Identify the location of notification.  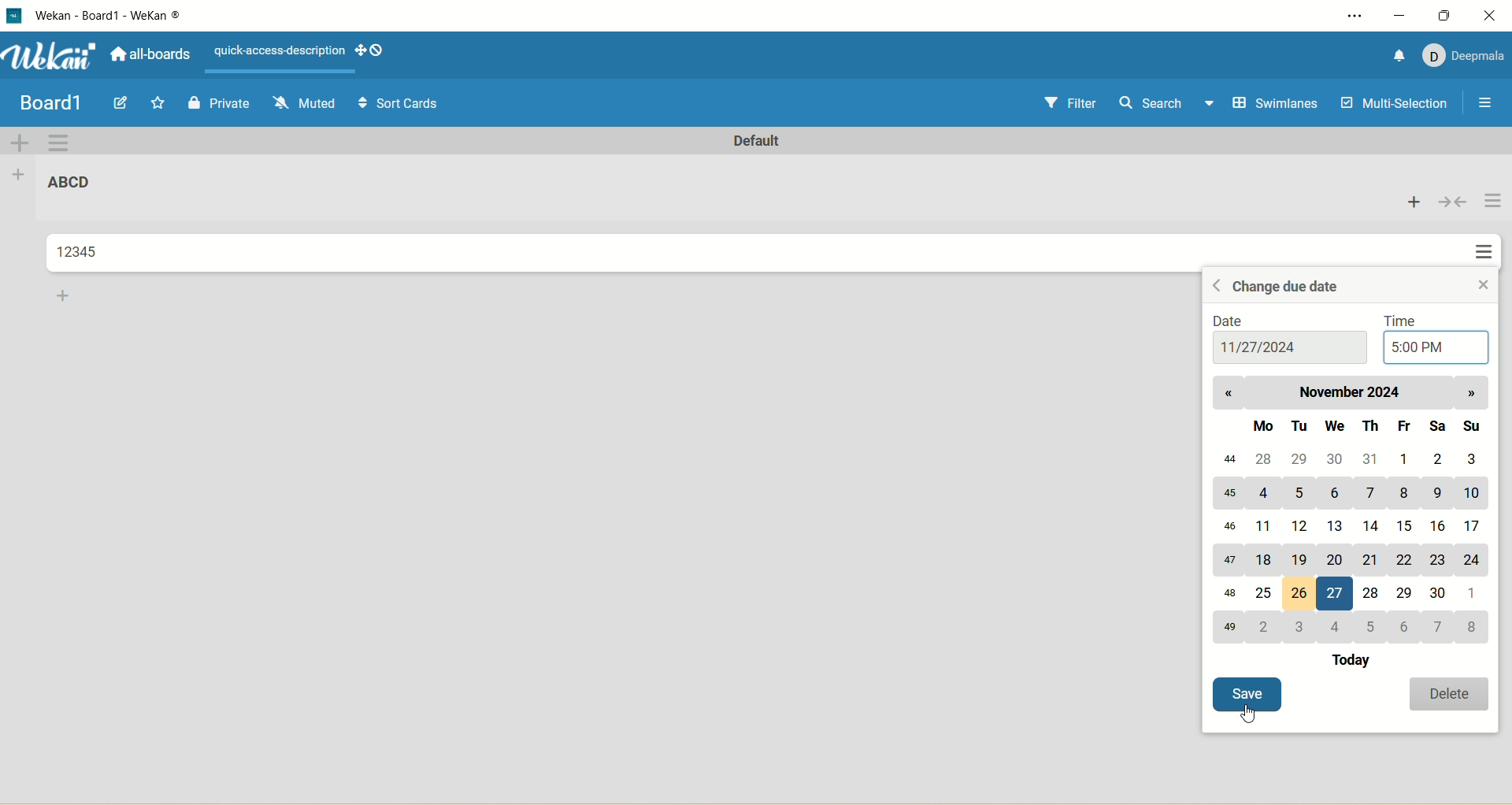
(1400, 56).